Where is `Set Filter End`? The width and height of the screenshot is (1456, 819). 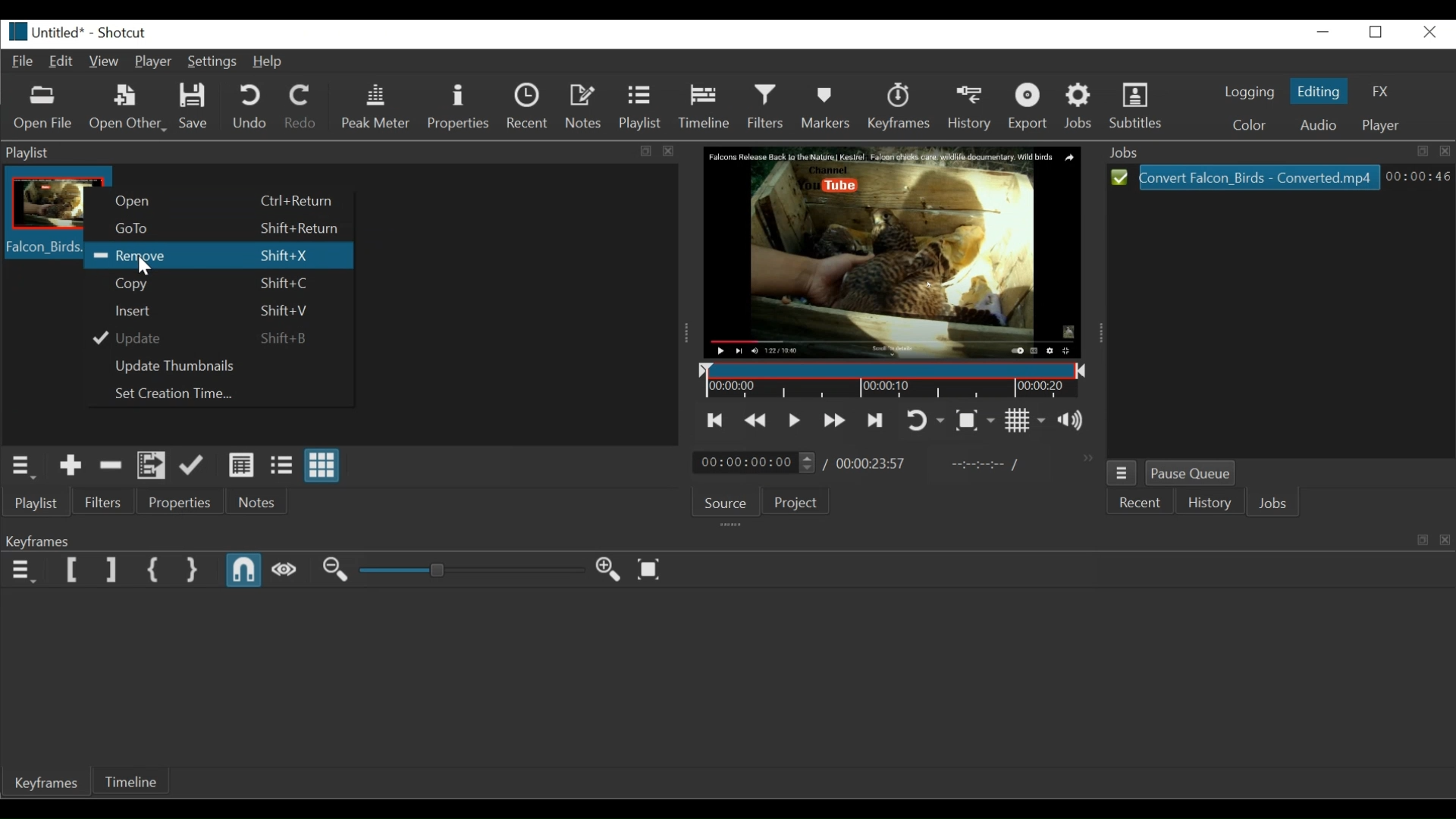 Set Filter End is located at coordinates (110, 570).